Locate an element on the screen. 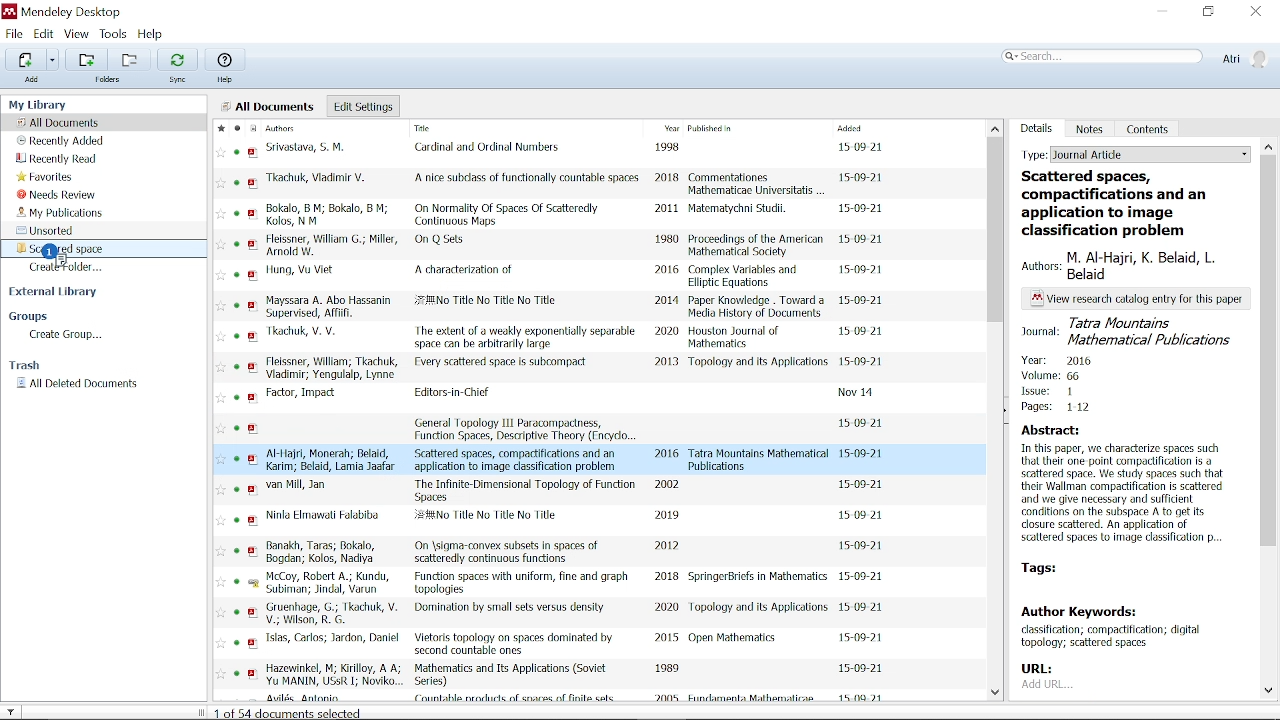 This screenshot has height=720, width=1280. date is located at coordinates (864, 330).